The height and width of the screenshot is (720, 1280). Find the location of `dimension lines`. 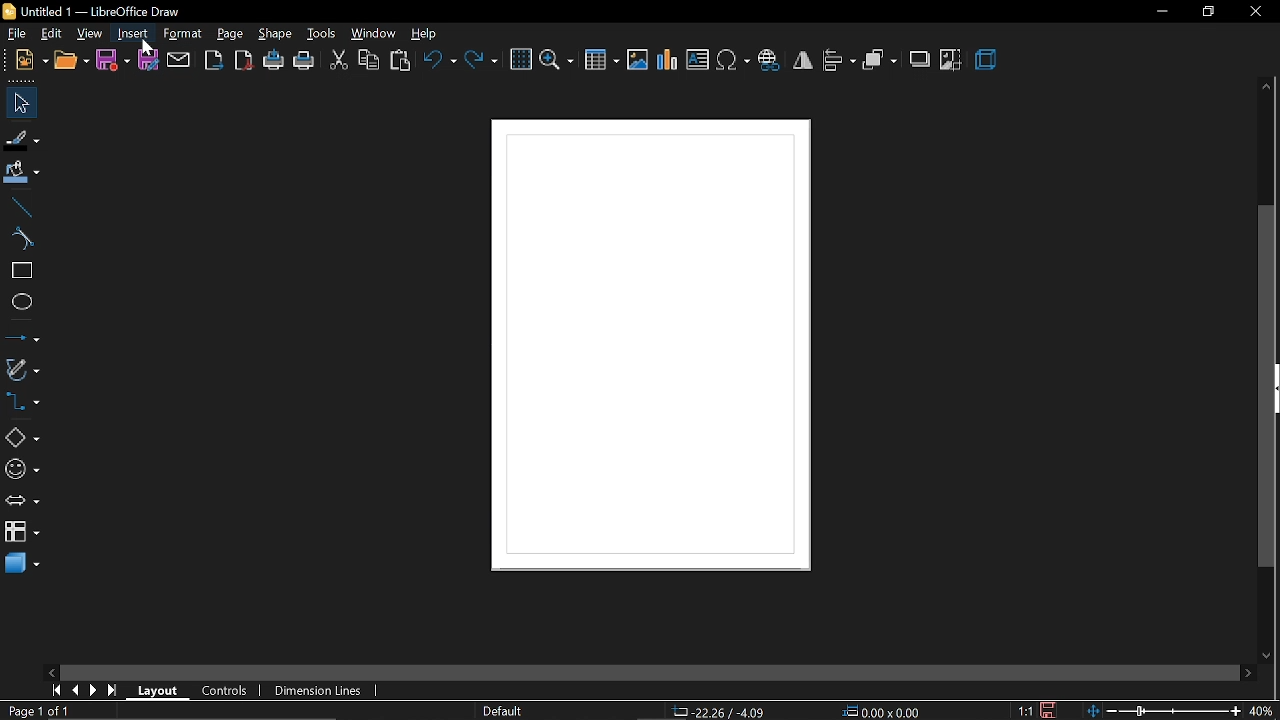

dimension lines is located at coordinates (318, 691).